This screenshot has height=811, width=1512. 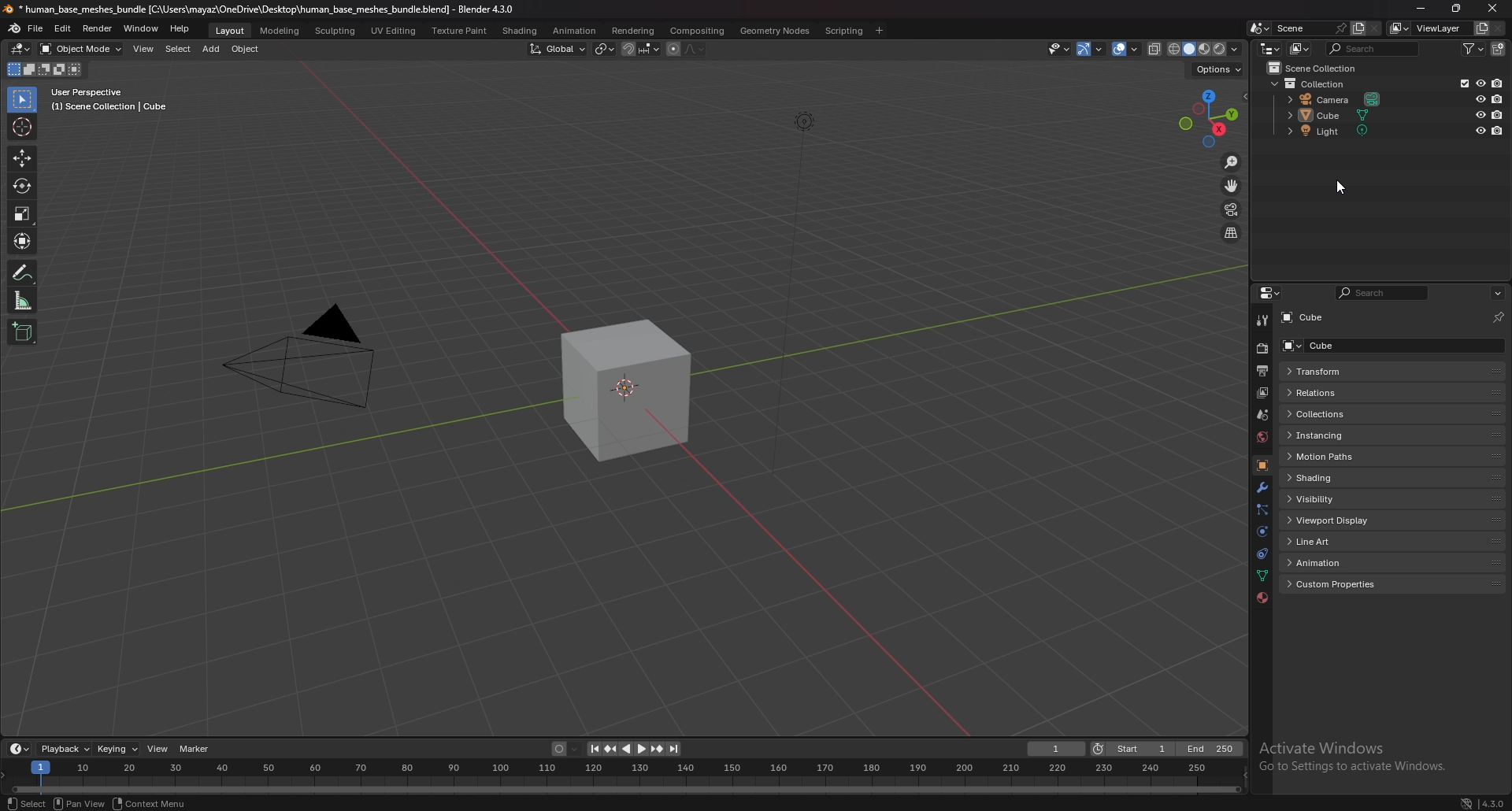 I want to click on motion paths, so click(x=1345, y=457).